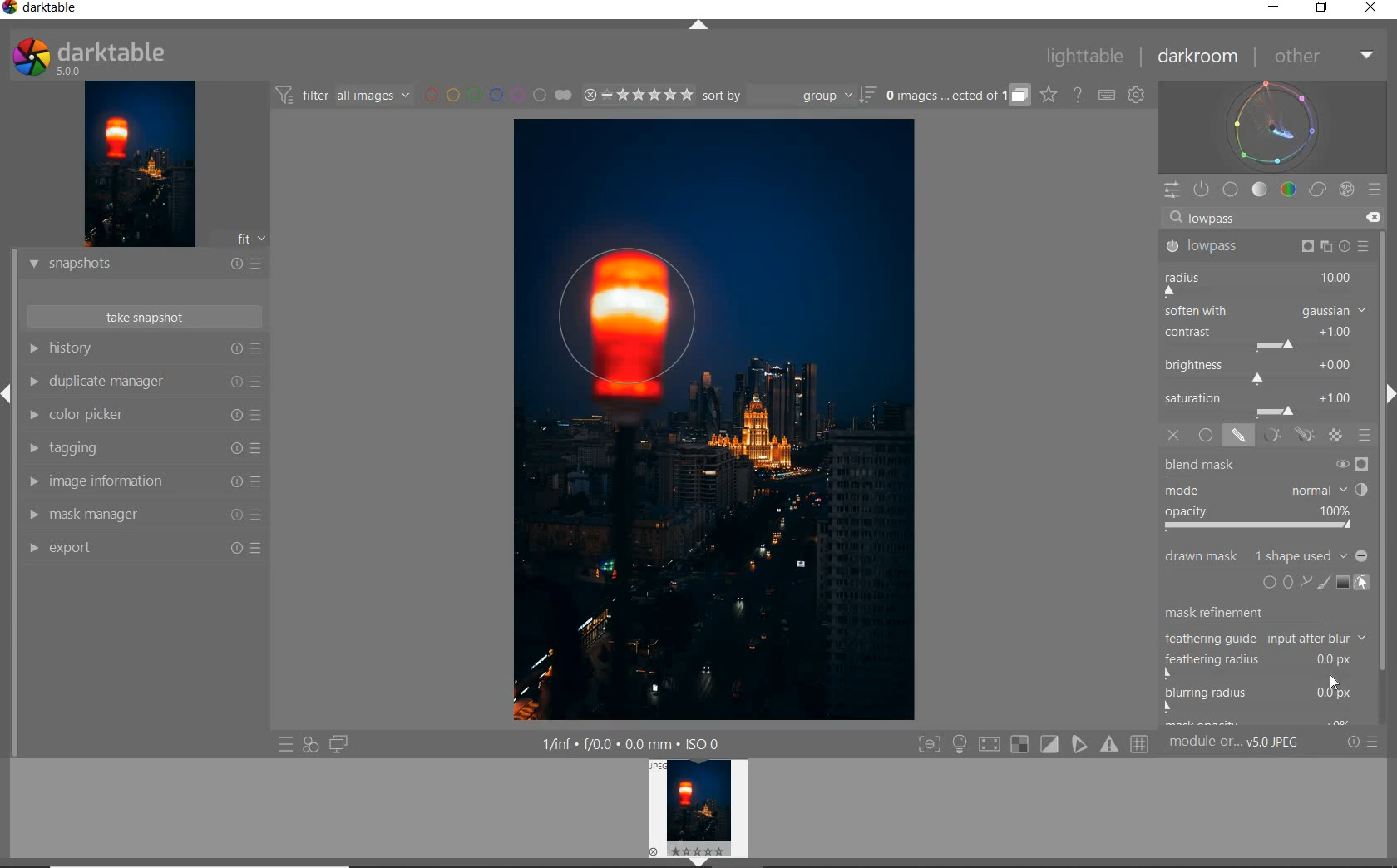 This screenshot has width=1397, height=868. What do you see at coordinates (1107, 95) in the screenshot?
I see `SET KEYBOARD SHORTCUTS` at bounding box center [1107, 95].